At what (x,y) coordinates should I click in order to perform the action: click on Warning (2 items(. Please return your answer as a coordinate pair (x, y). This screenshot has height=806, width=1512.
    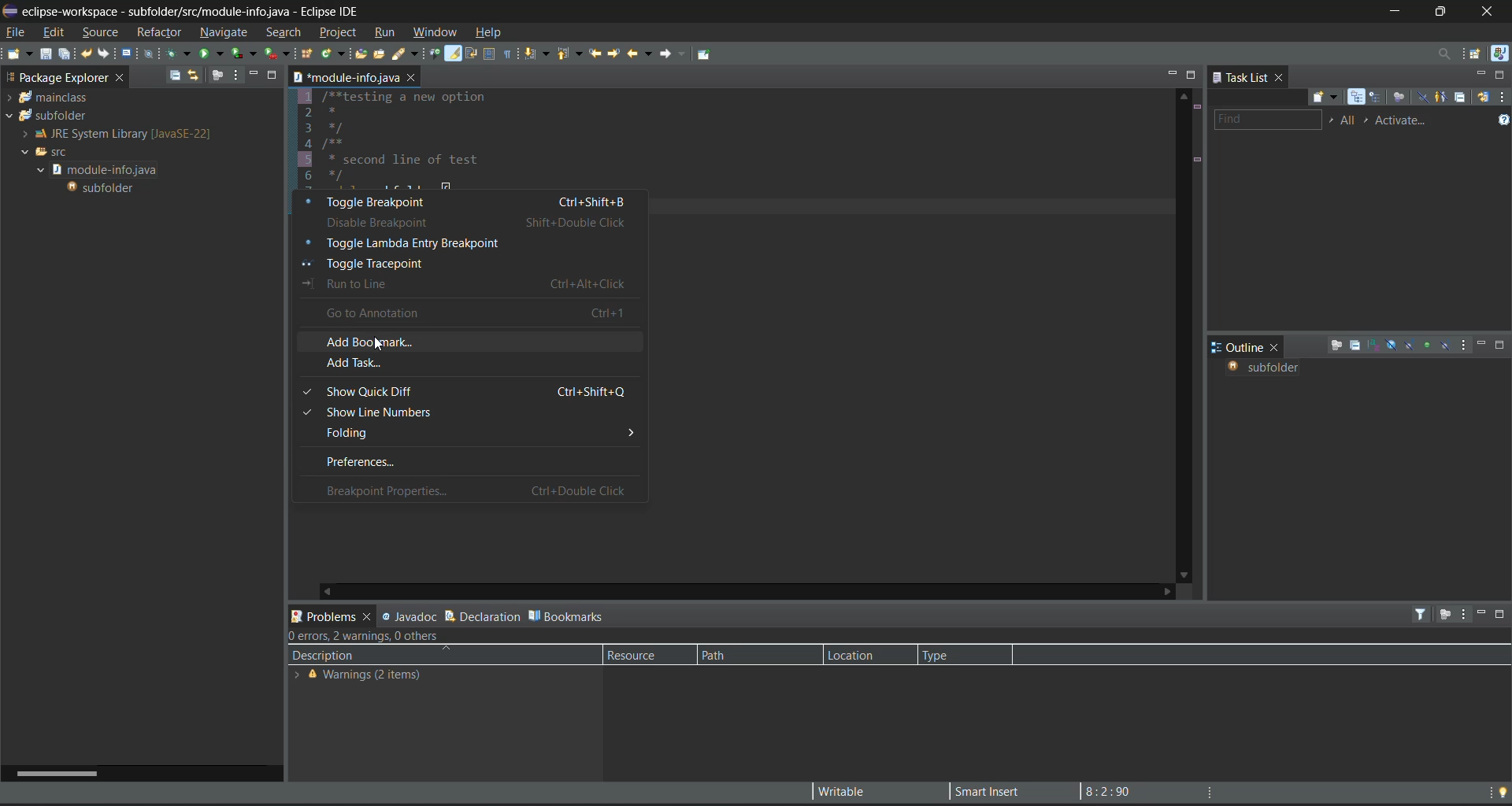
    Looking at the image, I should click on (369, 677).